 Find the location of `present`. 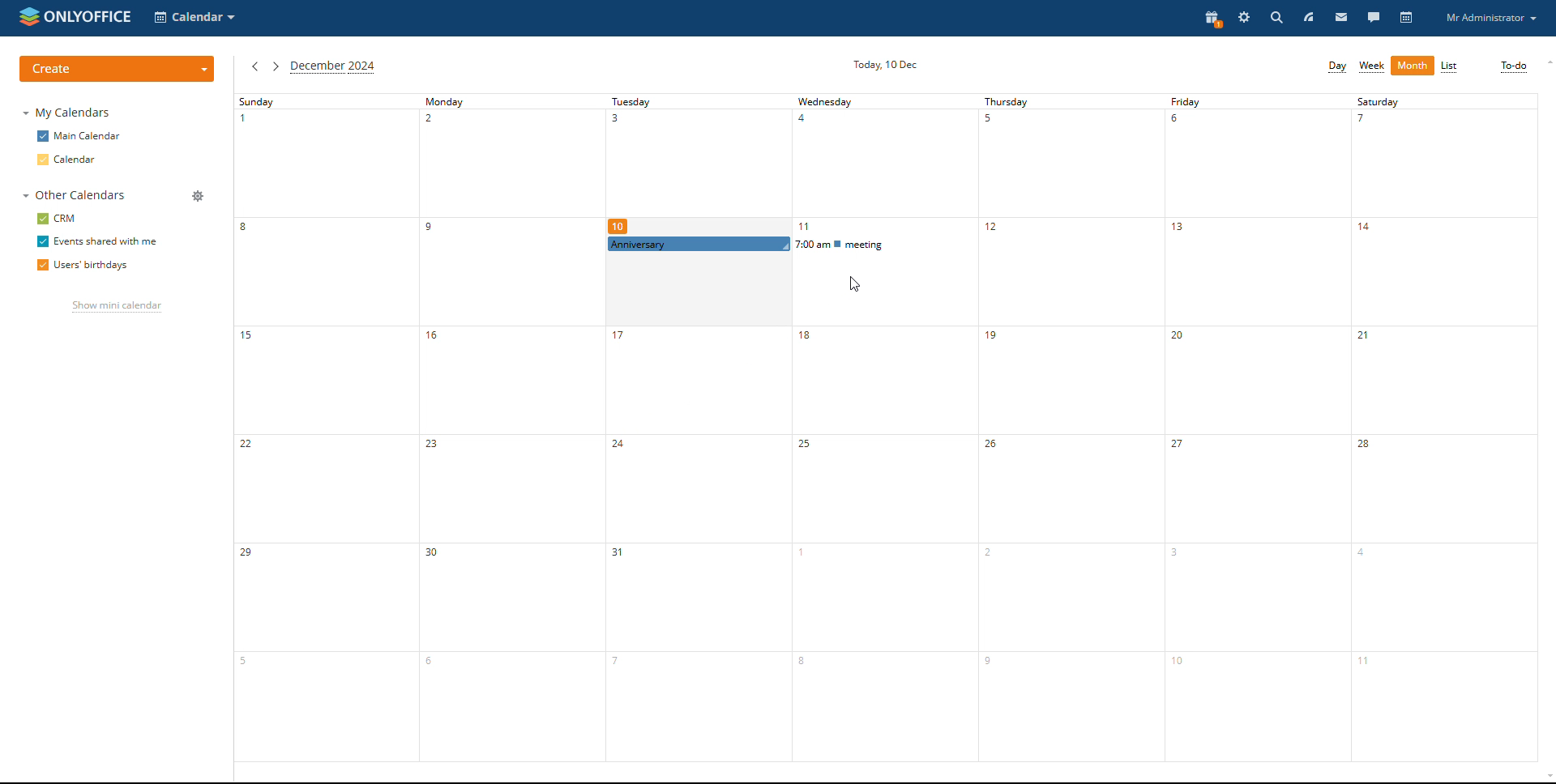

present is located at coordinates (1210, 19).